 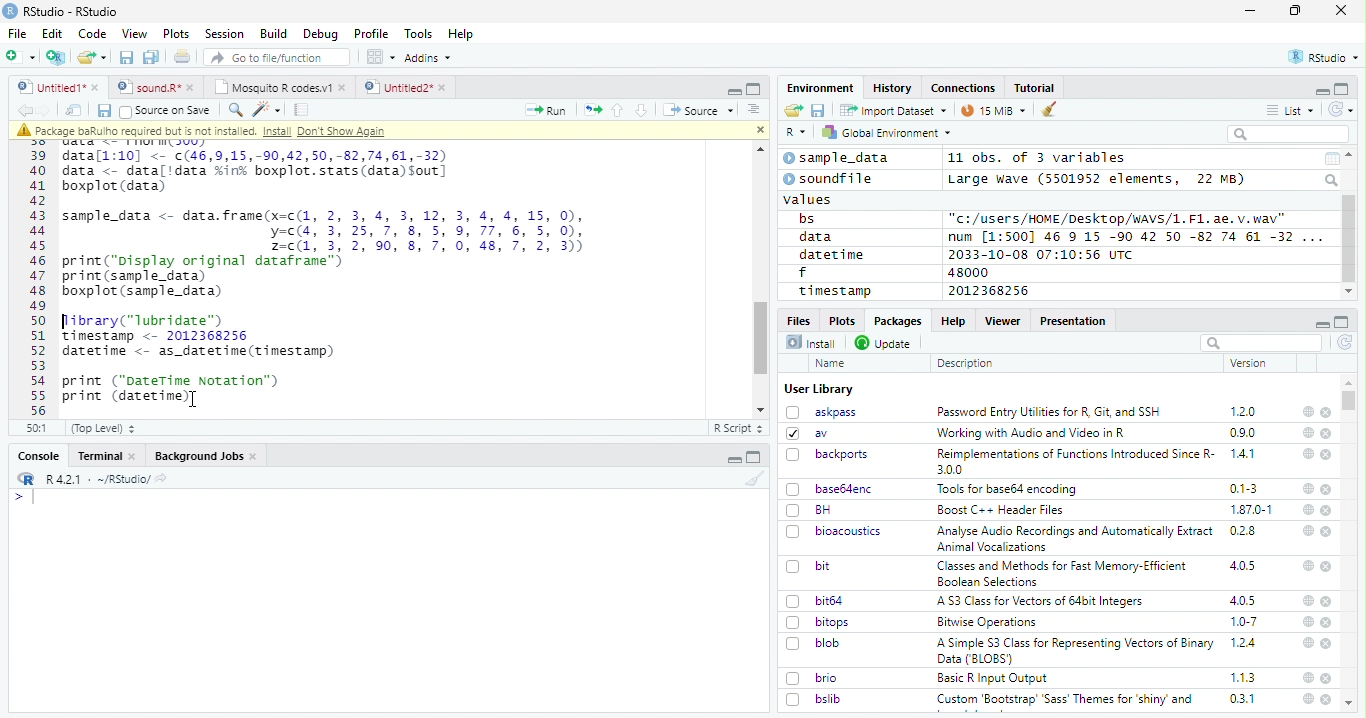 I want to click on close, so click(x=1327, y=623).